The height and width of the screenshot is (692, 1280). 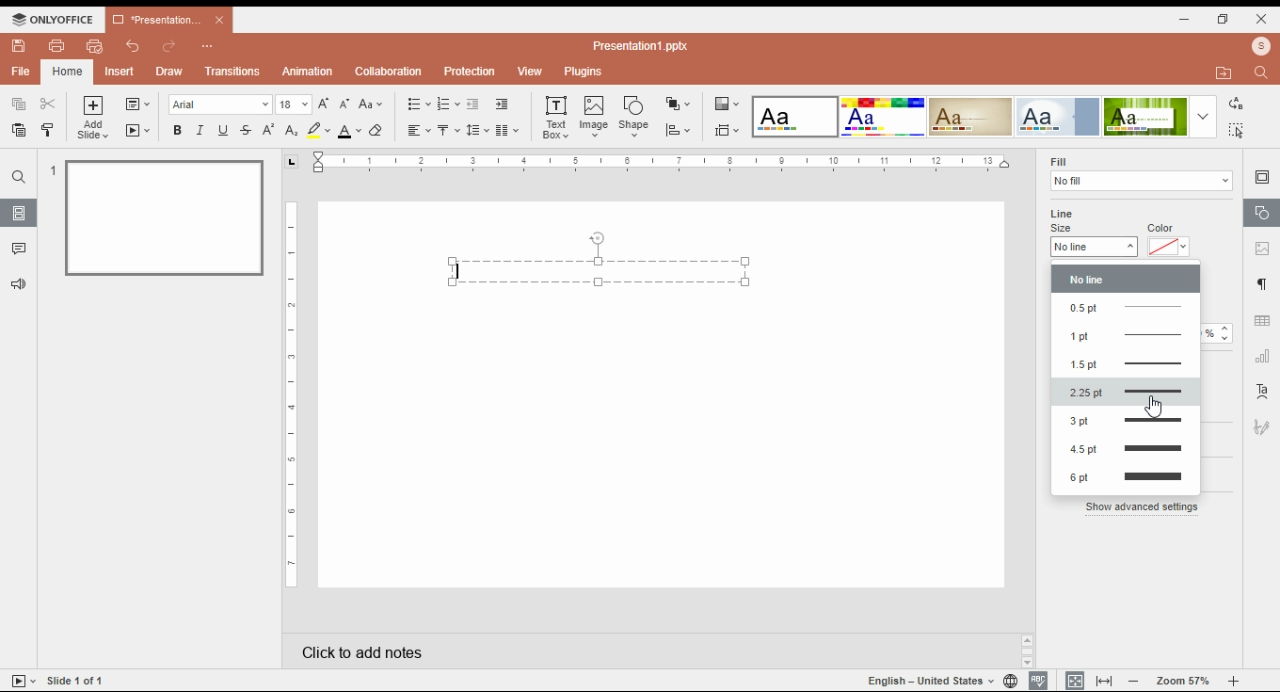 What do you see at coordinates (1168, 247) in the screenshot?
I see `line color` at bounding box center [1168, 247].